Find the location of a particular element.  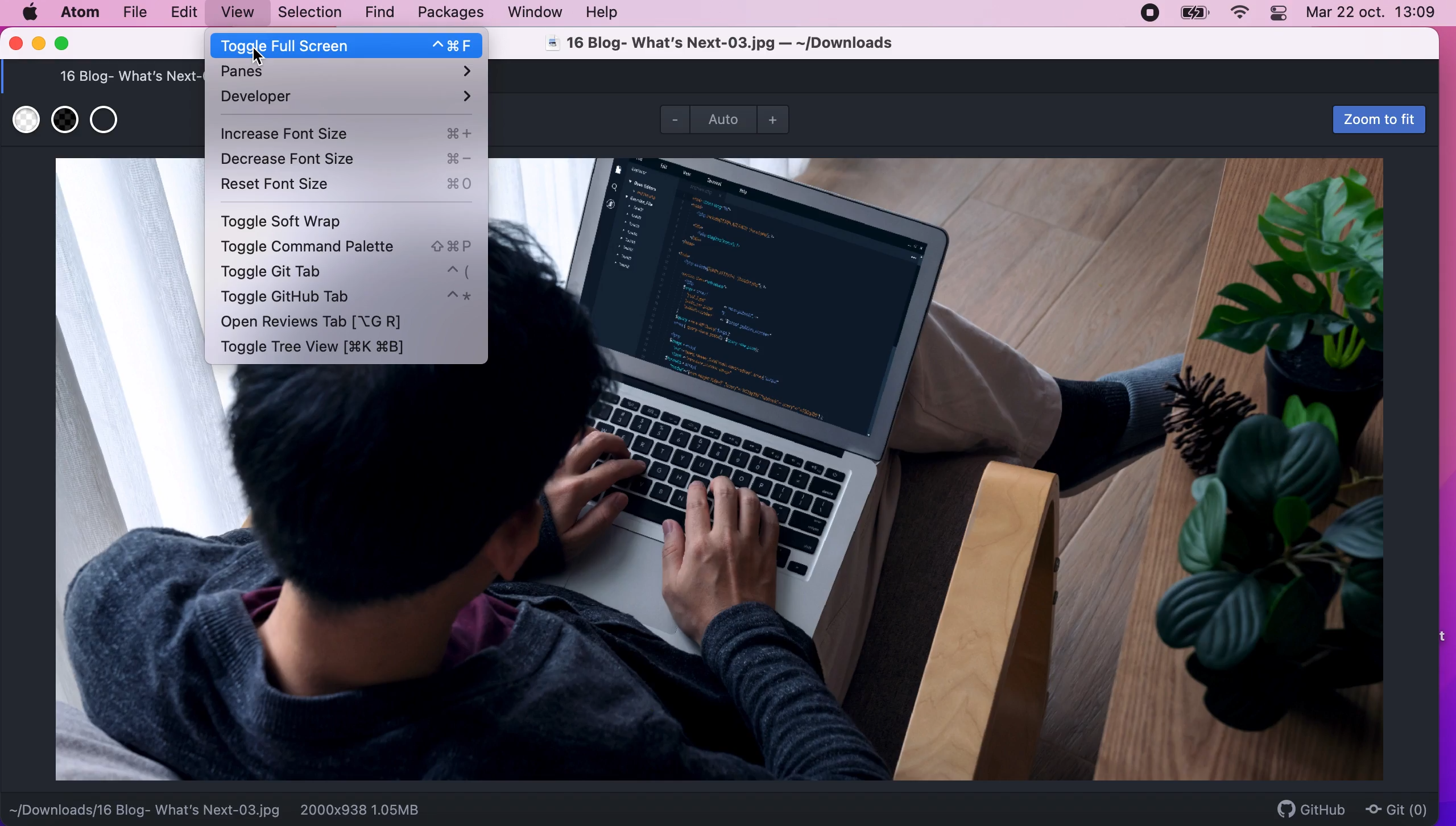

atom is located at coordinates (80, 14).